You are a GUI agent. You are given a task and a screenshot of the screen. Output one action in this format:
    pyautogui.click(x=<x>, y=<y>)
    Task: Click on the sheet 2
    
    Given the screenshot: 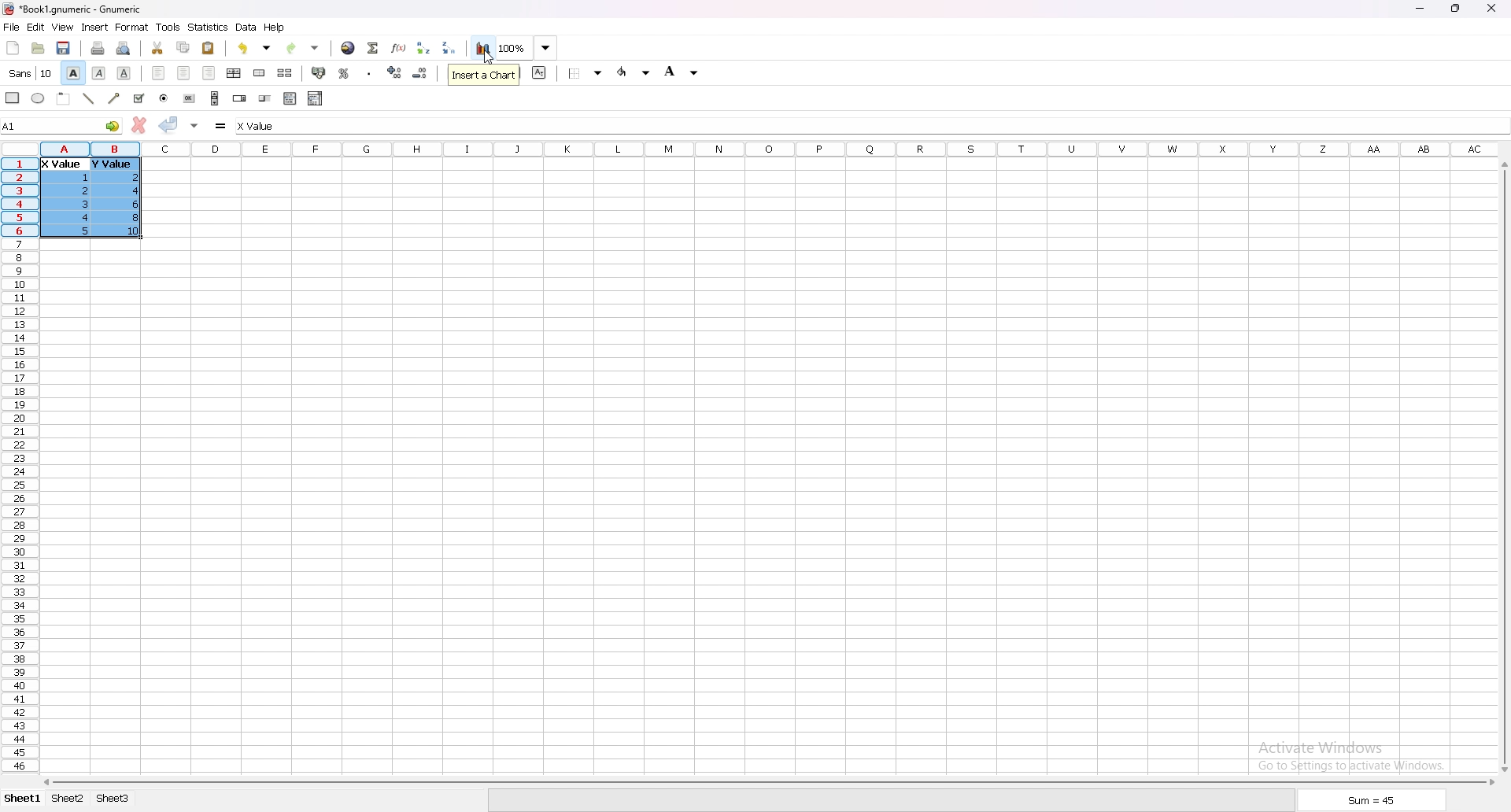 What is the action you would take?
    pyautogui.click(x=68, y=799)
    